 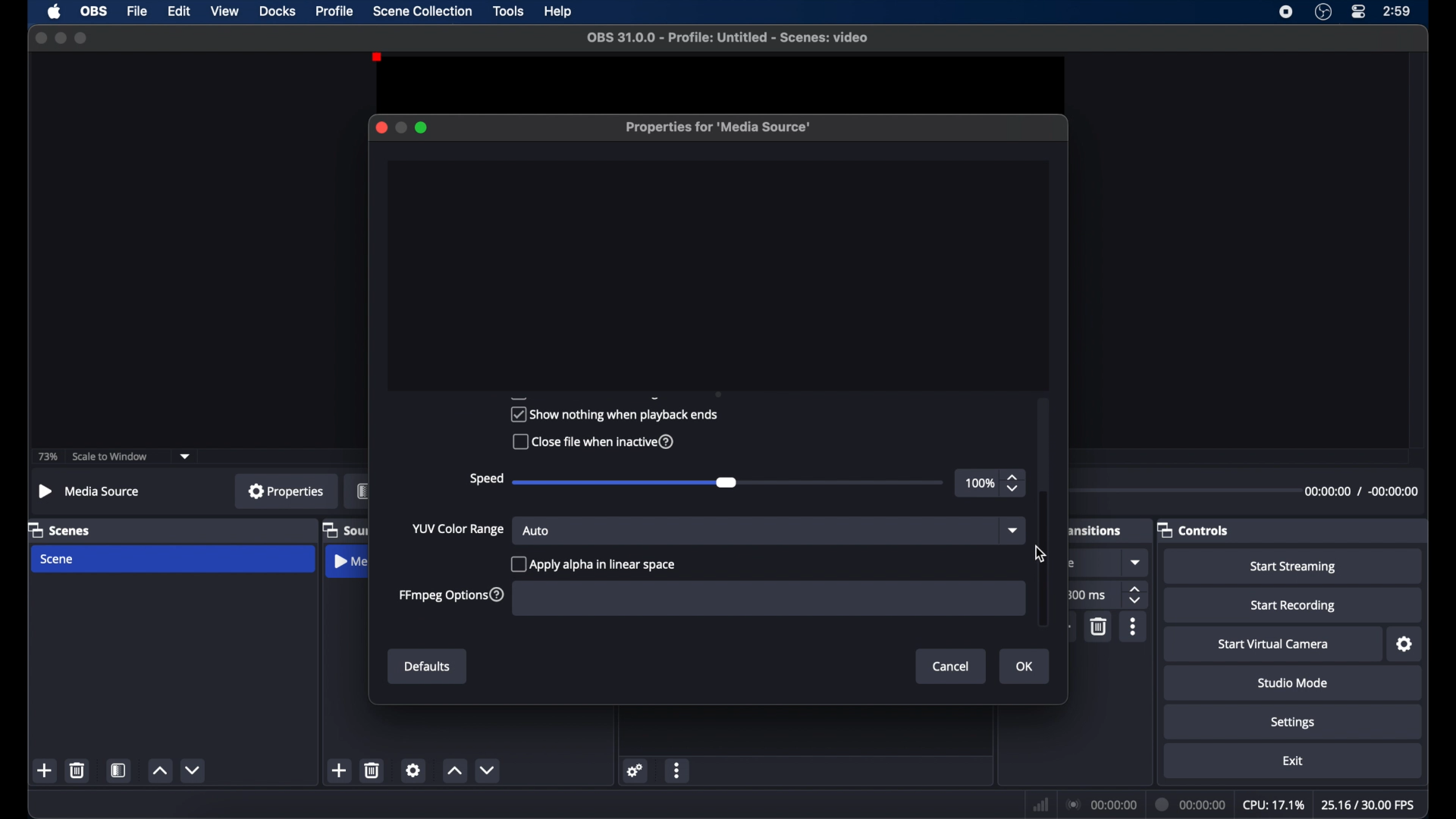 I want to click on yup color range, so click(x=458, y=529).